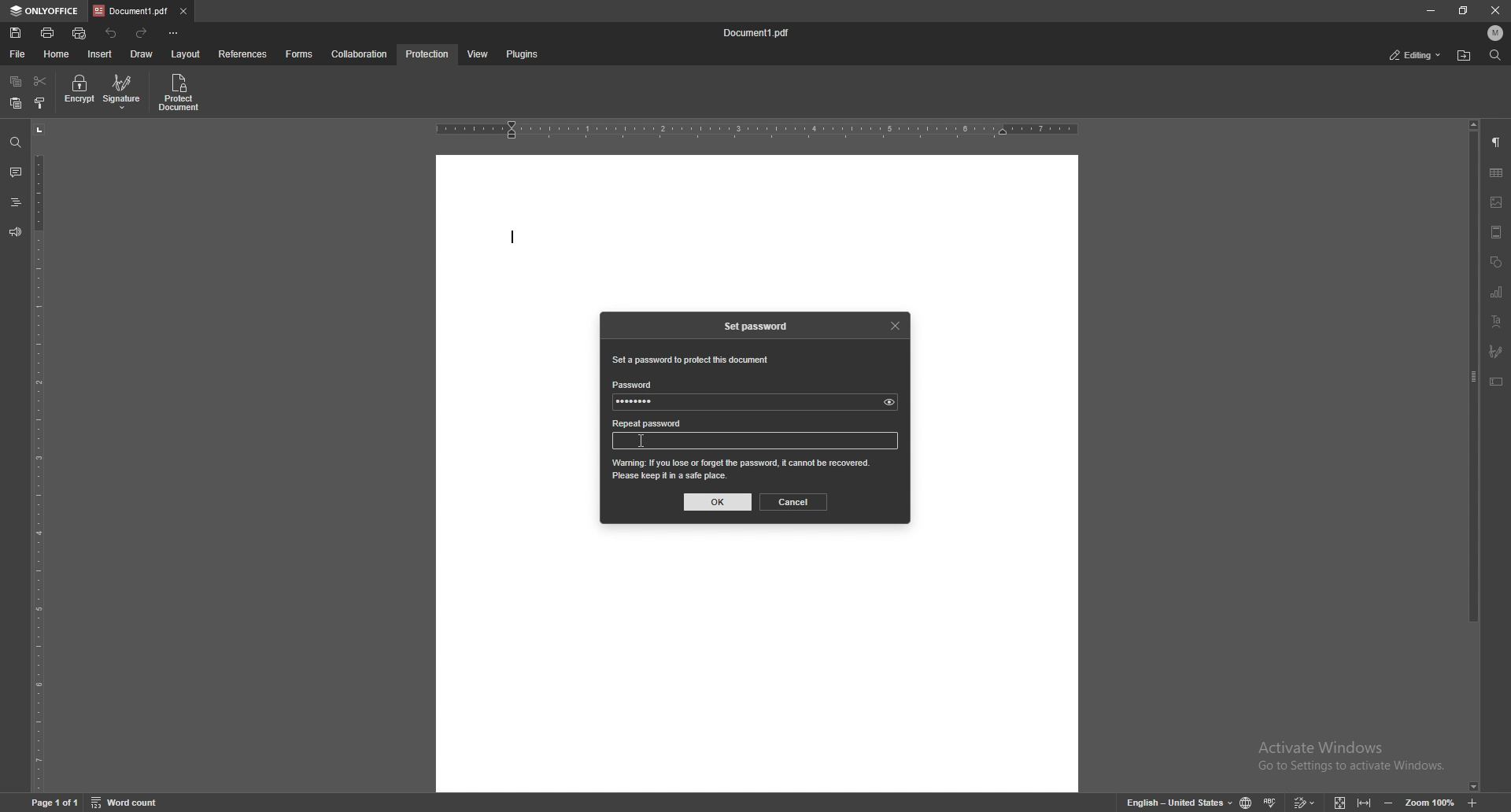  I want to click on file, so click(16, 55).